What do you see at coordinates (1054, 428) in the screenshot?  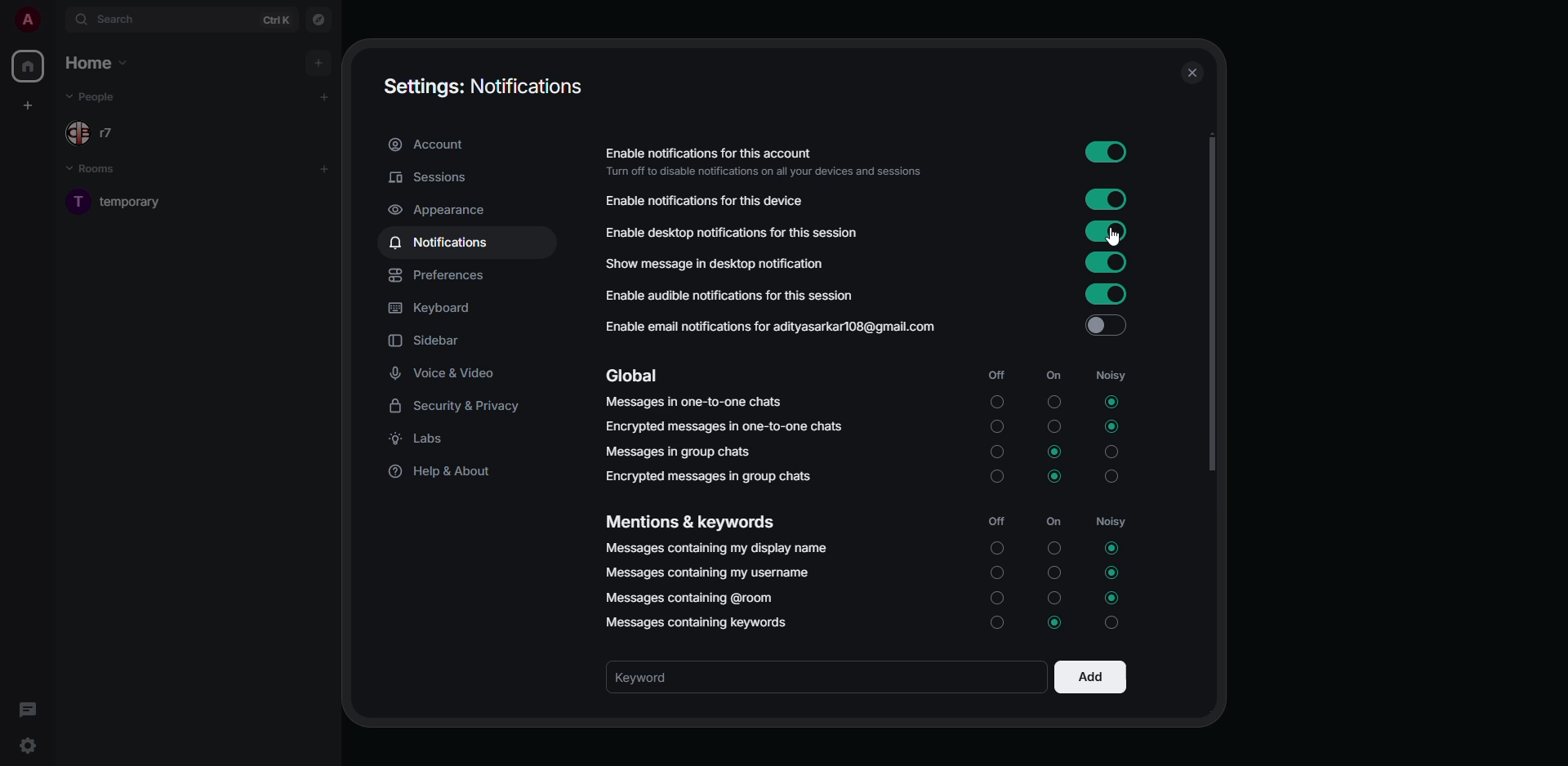 I see `turn off` at bounding box center [1054, 428].